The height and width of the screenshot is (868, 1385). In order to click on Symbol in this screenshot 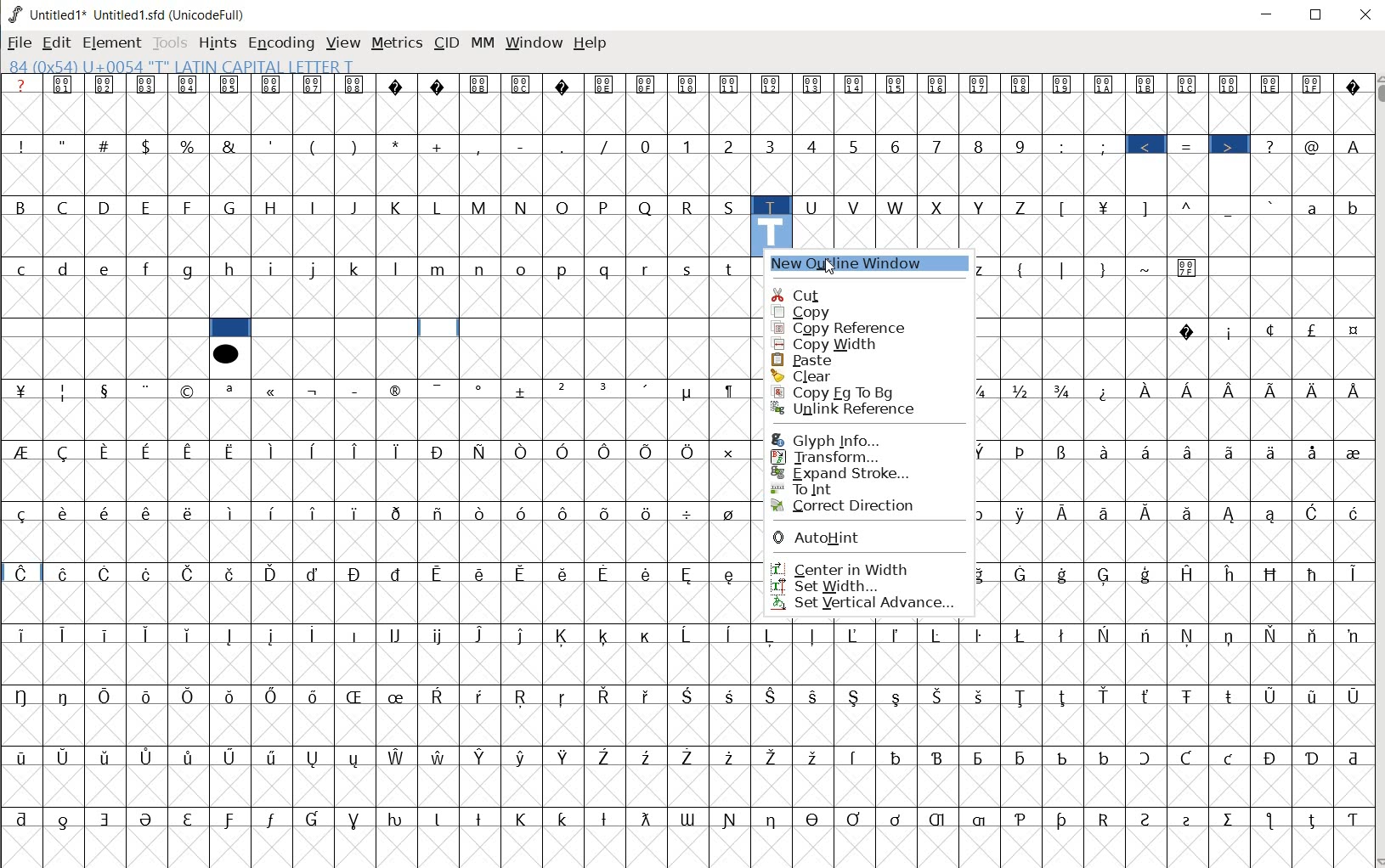, I will do `click(1314, 819)`.